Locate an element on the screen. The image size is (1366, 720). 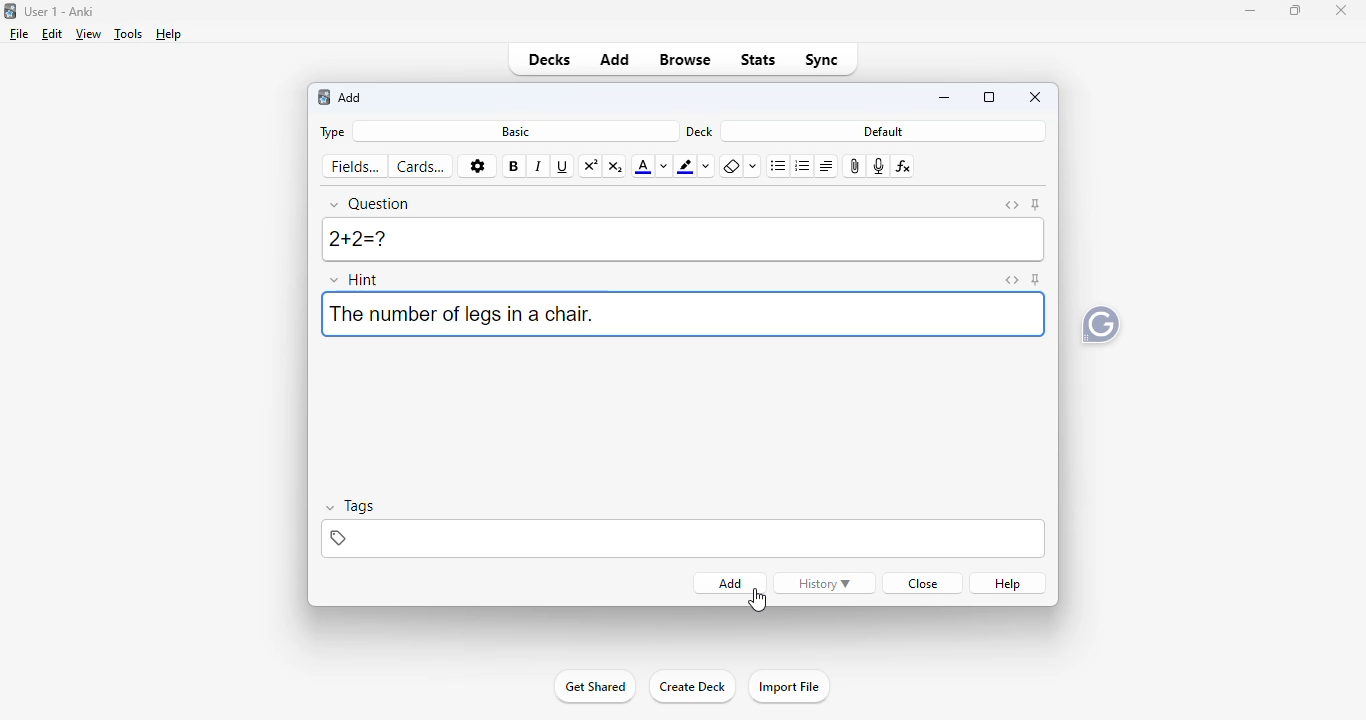
toggle sticky is located at coordinates (1036, 279).